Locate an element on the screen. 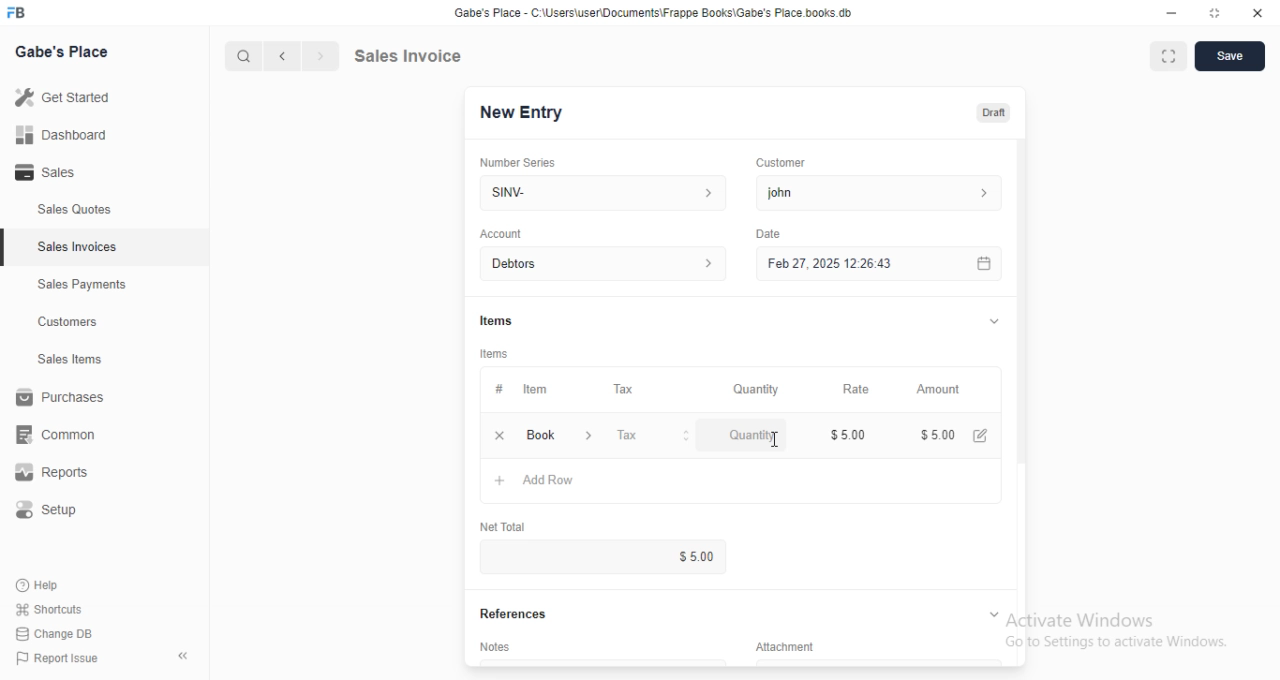  Get started is located at coordinates (65, 97).